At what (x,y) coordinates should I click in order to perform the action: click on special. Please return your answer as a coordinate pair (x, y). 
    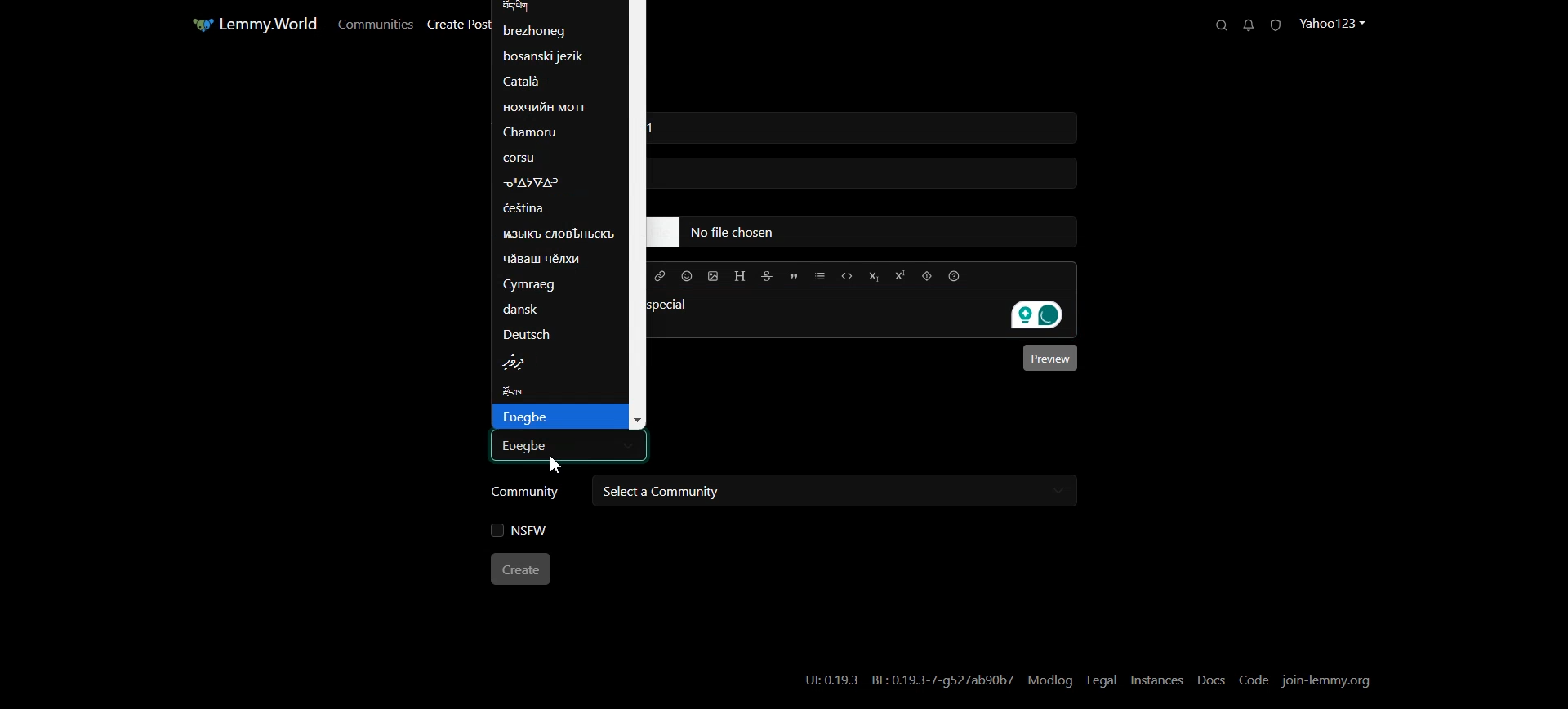
    Looking at the image, I should click on (690, 305).